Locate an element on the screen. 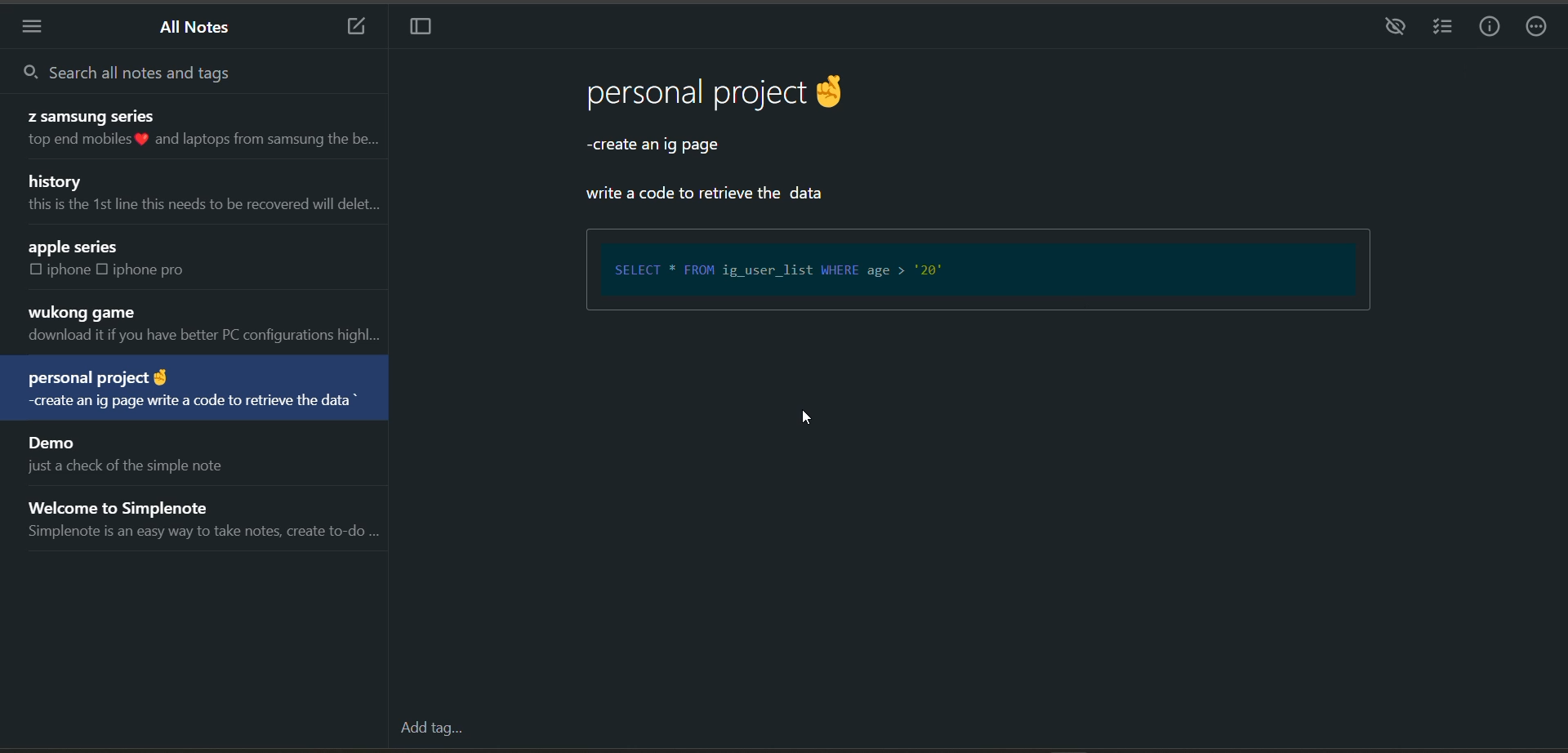  note title  and preview is located at coordinates (201, 195).